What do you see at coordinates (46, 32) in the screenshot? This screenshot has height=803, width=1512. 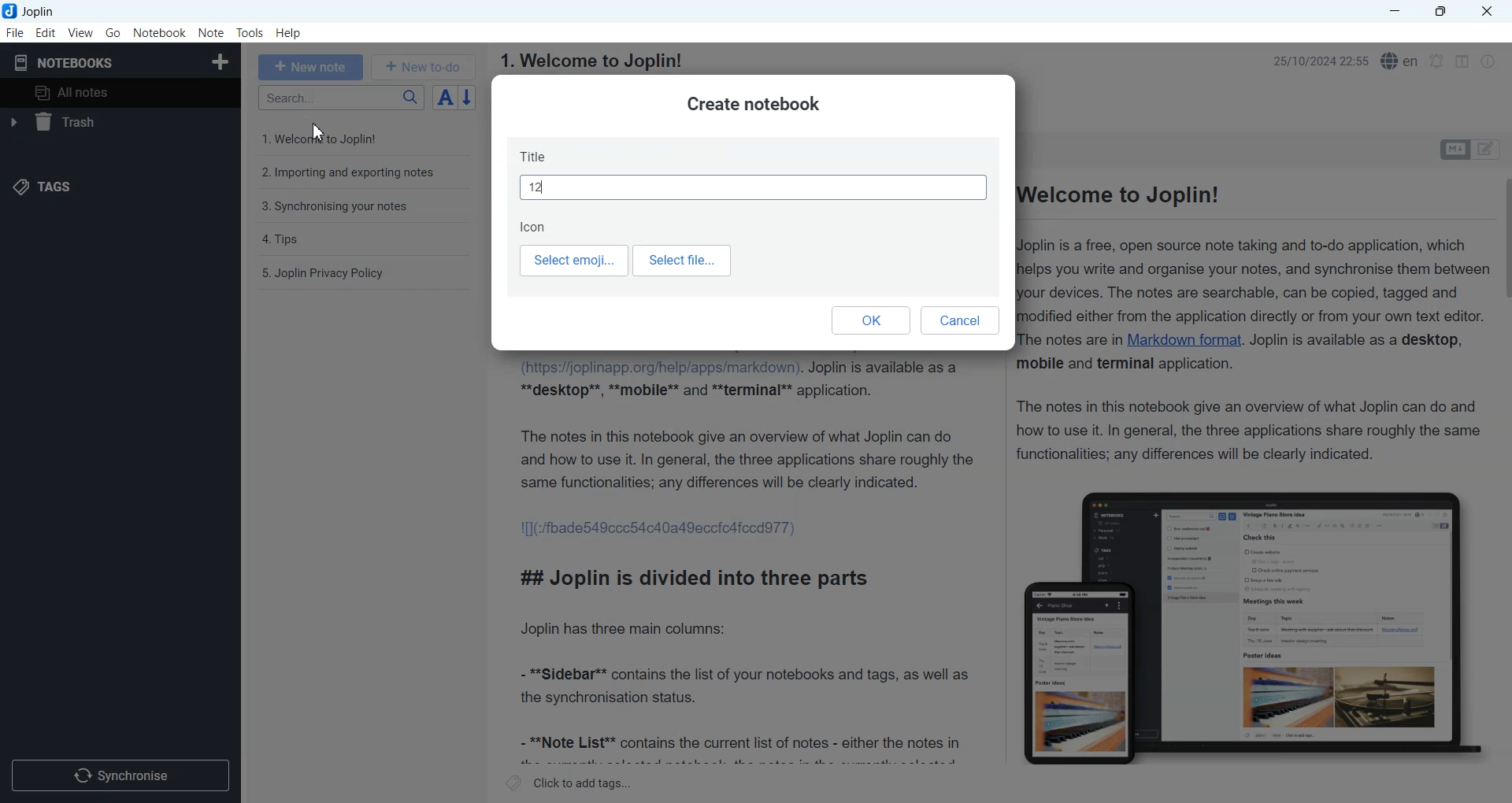 I see `Edit` at bounding box center [46, 32].